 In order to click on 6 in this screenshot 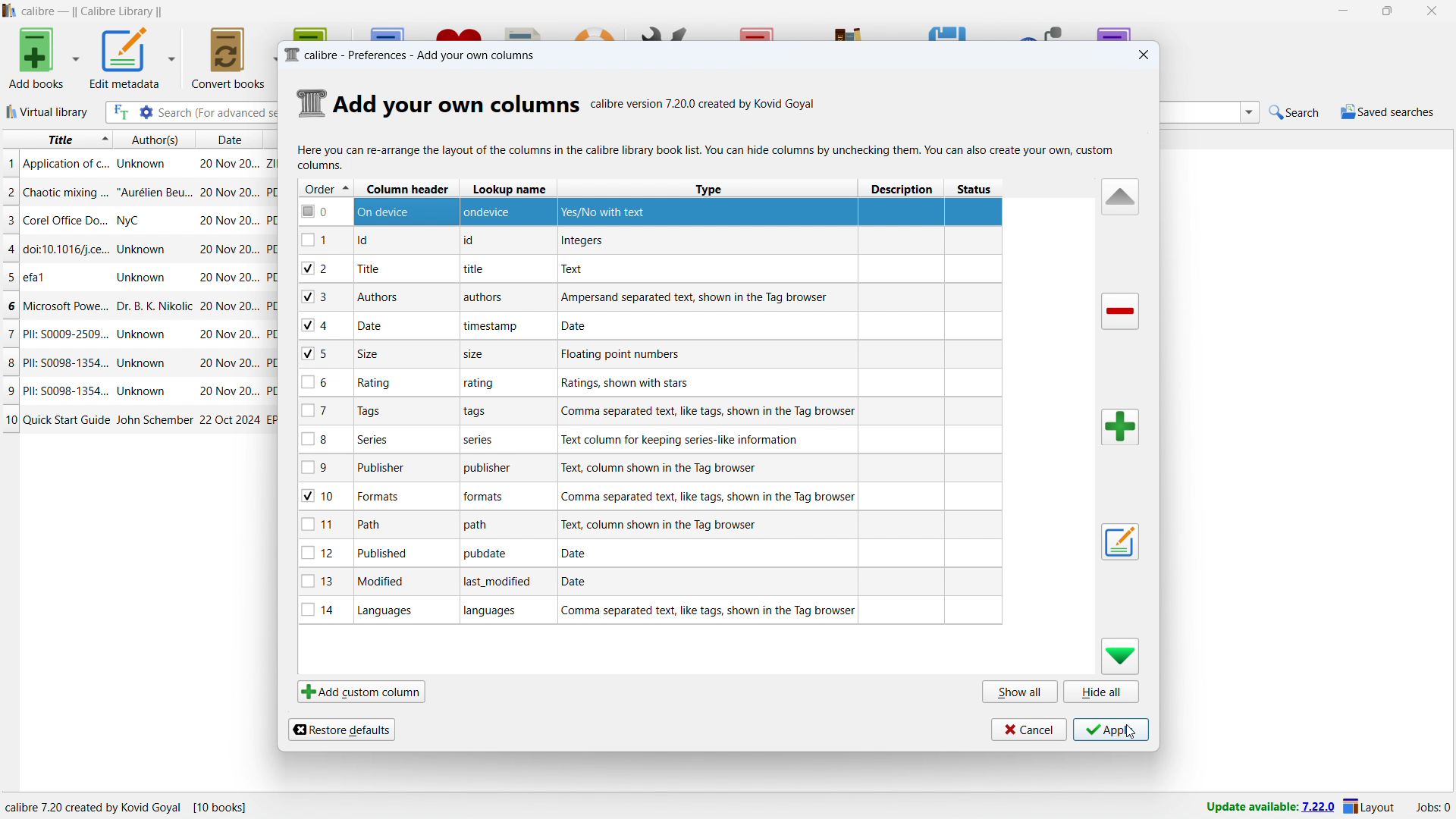, I will do `click(320, 383)`.